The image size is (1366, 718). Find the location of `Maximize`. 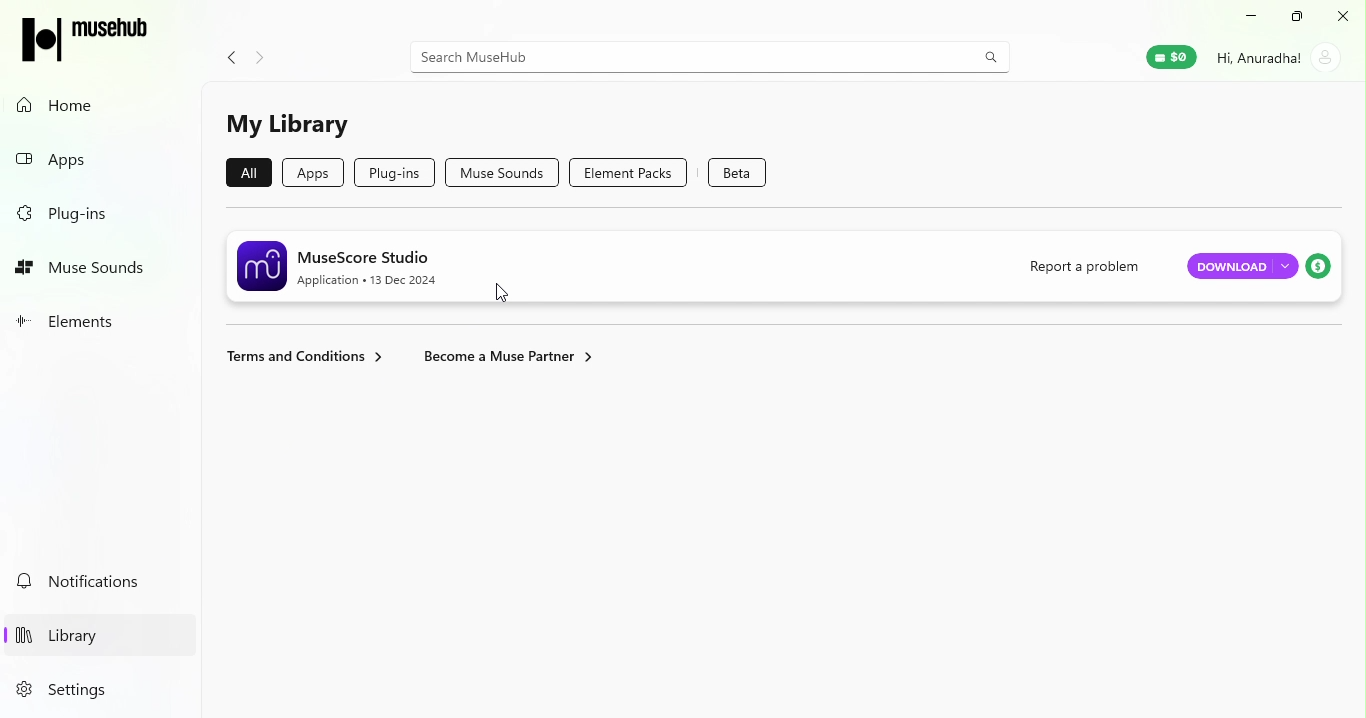

Maximize is located at coordinates (1300, 17).